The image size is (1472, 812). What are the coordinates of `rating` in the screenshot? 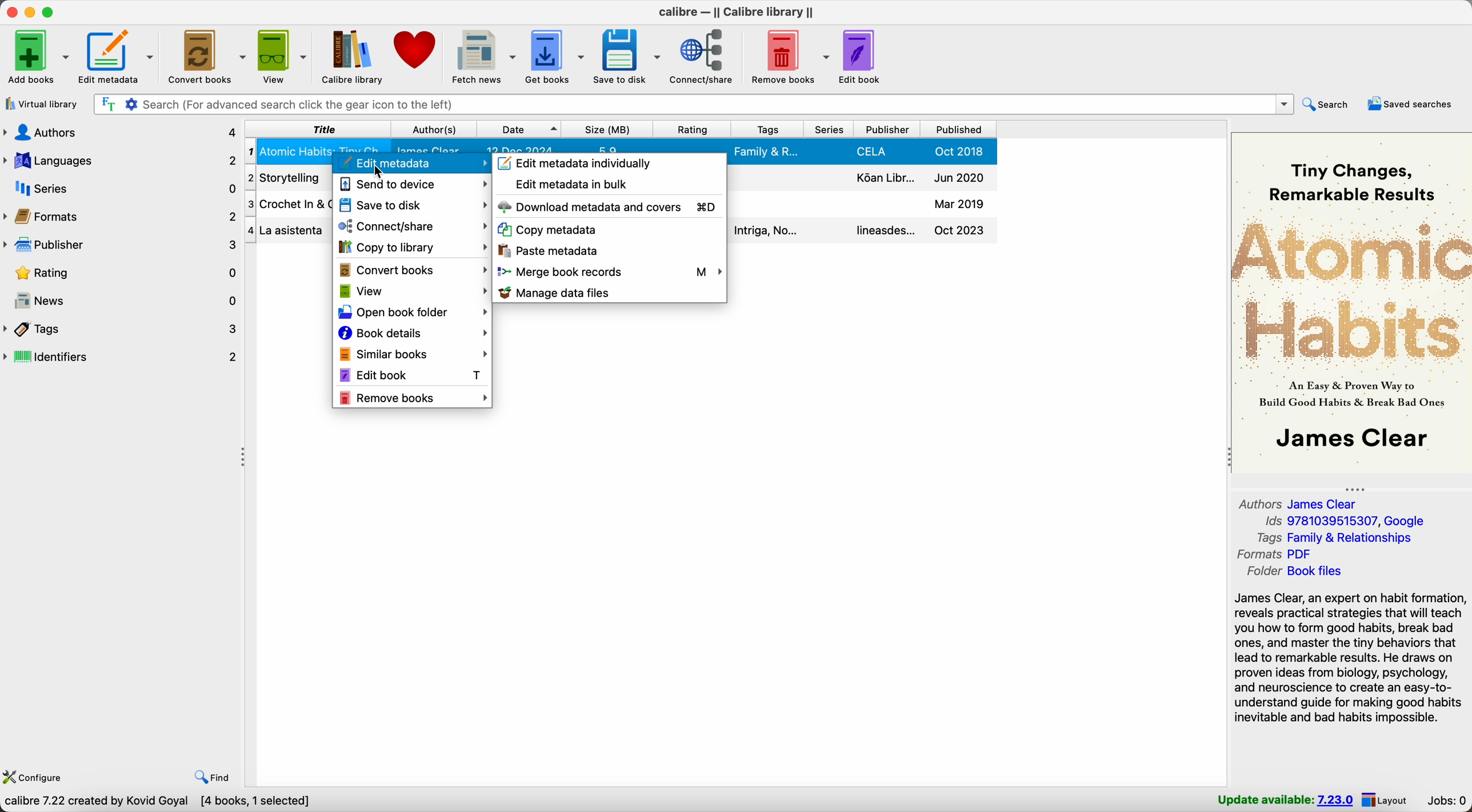 It's located at (121, 274).